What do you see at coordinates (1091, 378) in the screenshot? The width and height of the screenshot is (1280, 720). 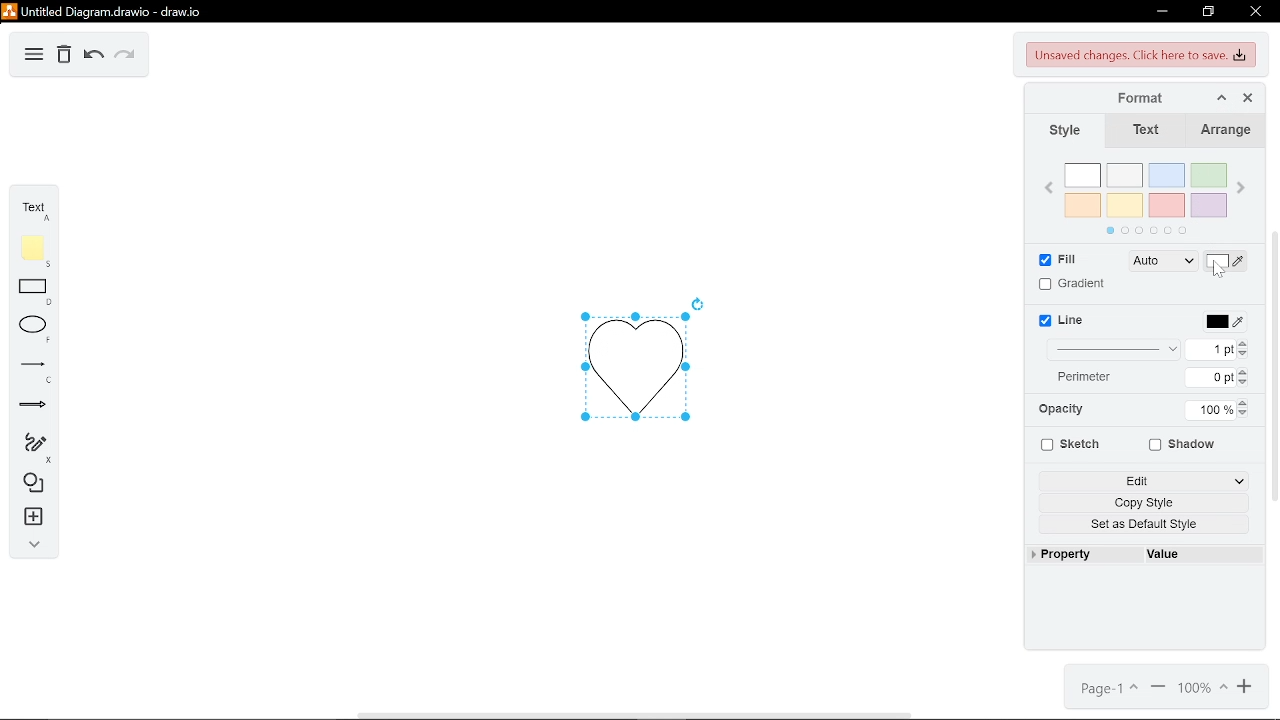 I see `perimeter` at bounding box center [1091, 378].